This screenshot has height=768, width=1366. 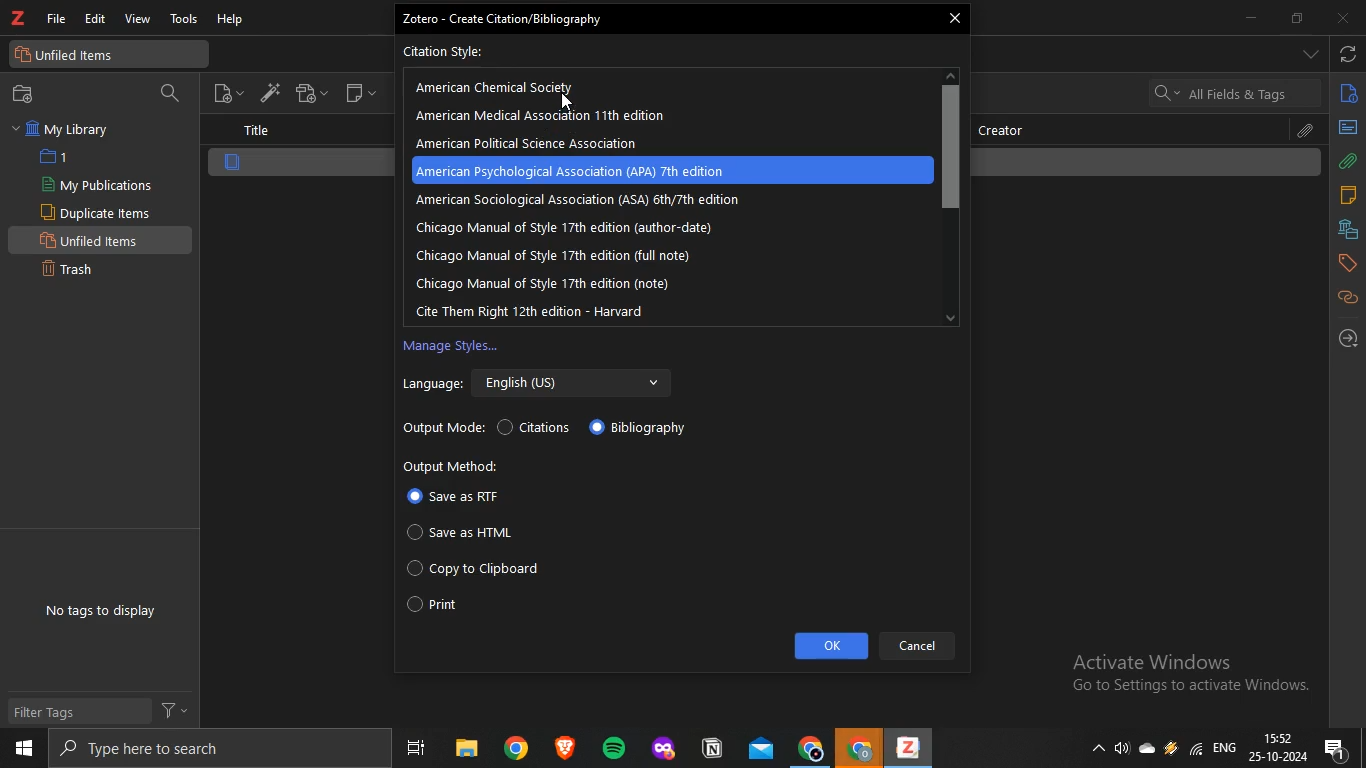 I want to click on speakers, so click(x=1124, y=749).